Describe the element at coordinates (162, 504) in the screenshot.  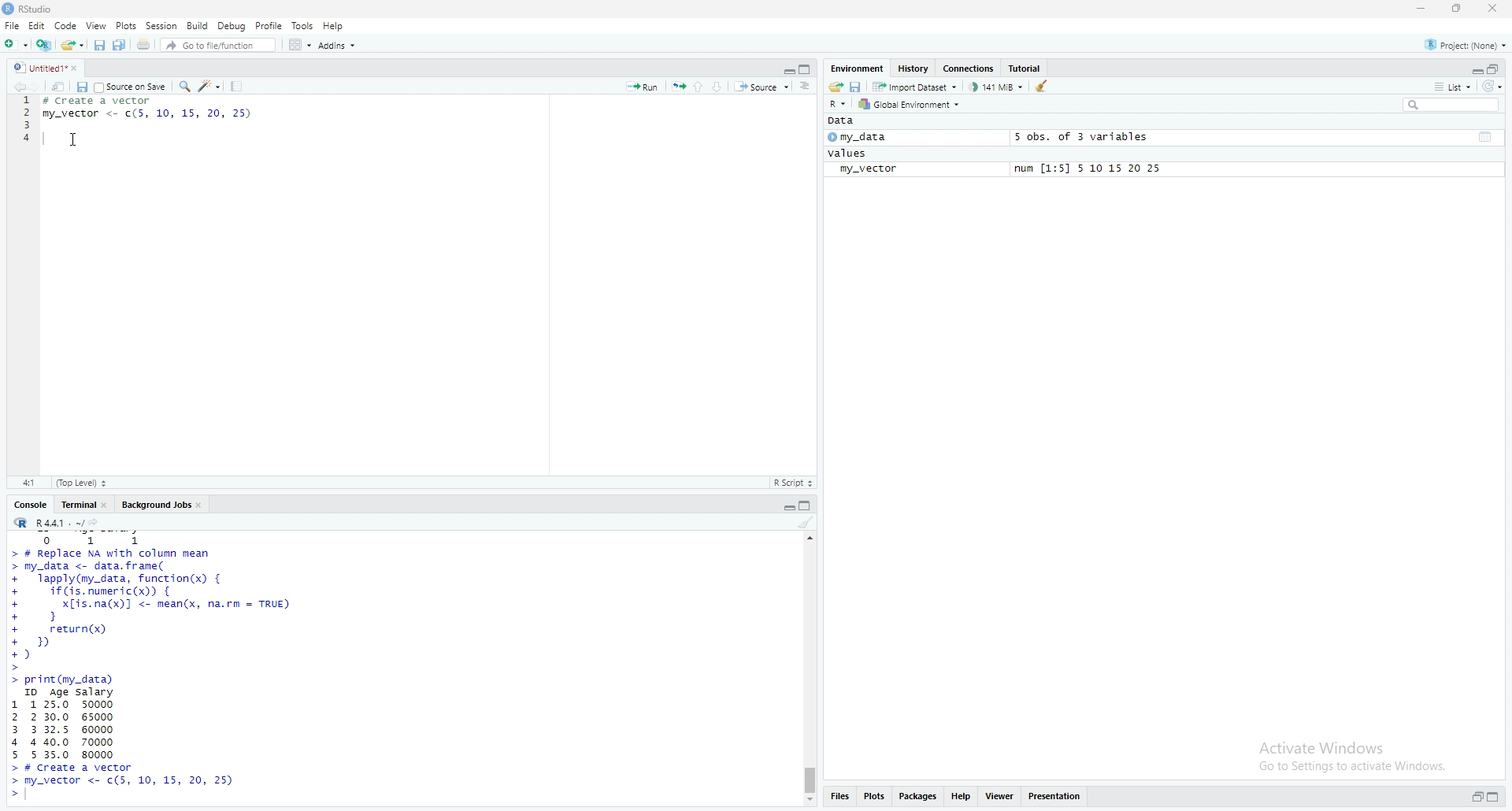
I see `Background jobs` at that location.